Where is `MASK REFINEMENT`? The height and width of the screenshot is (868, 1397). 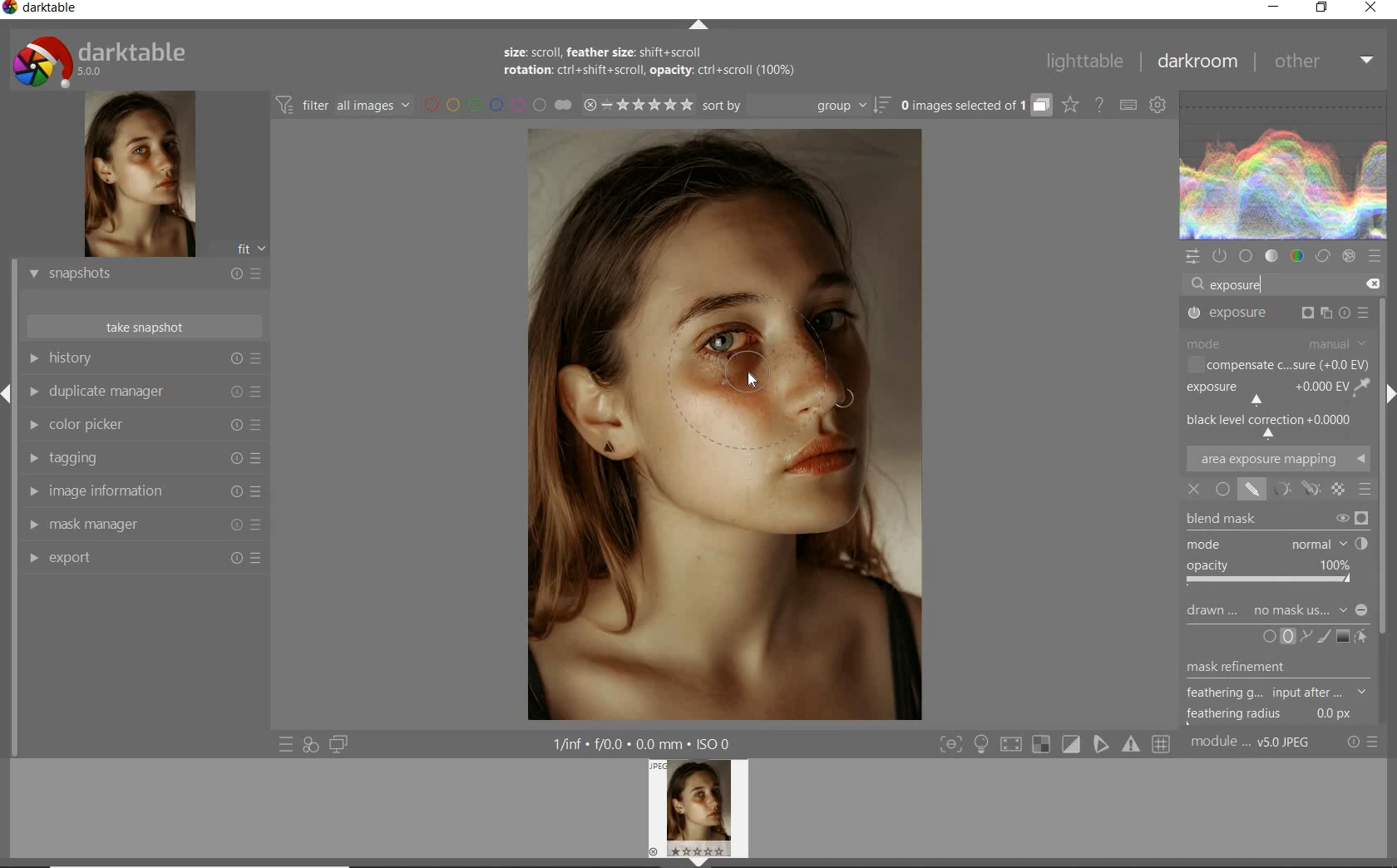 MASK REFINEMENT is located at coordinates (1254, 668).